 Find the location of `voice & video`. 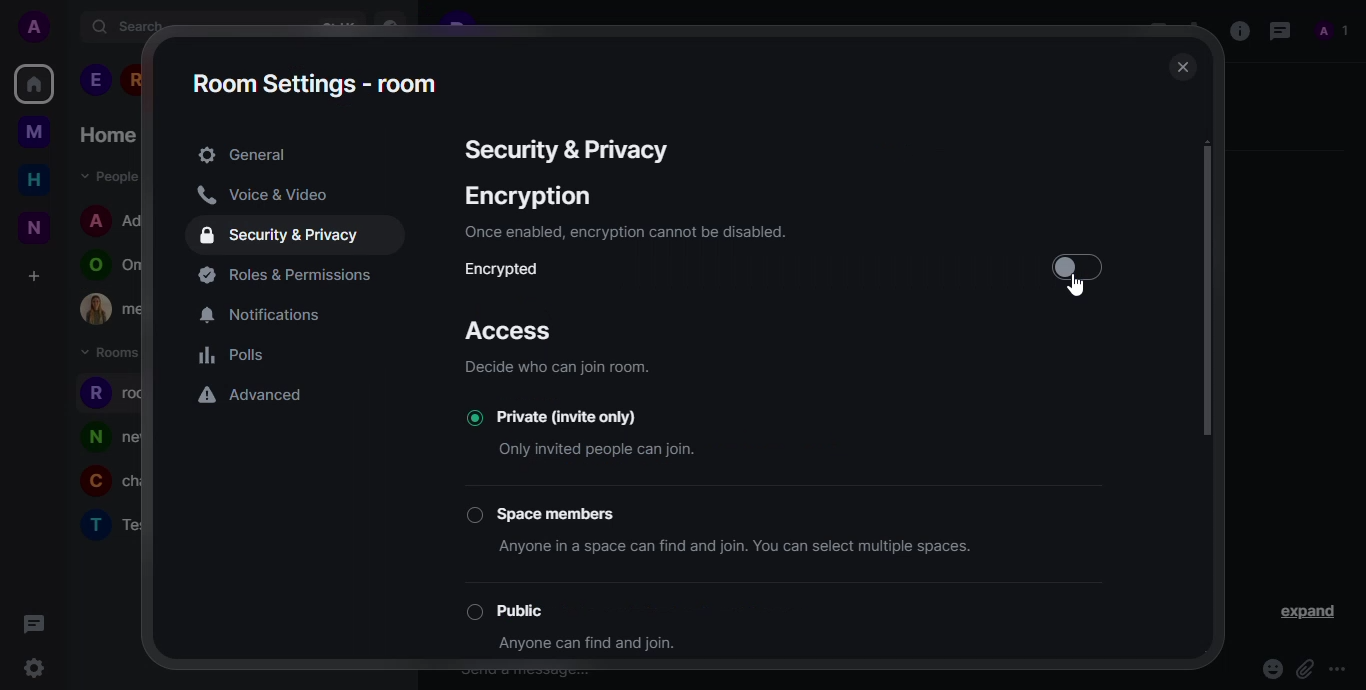

voice & video is located at coordinates (262, 195).